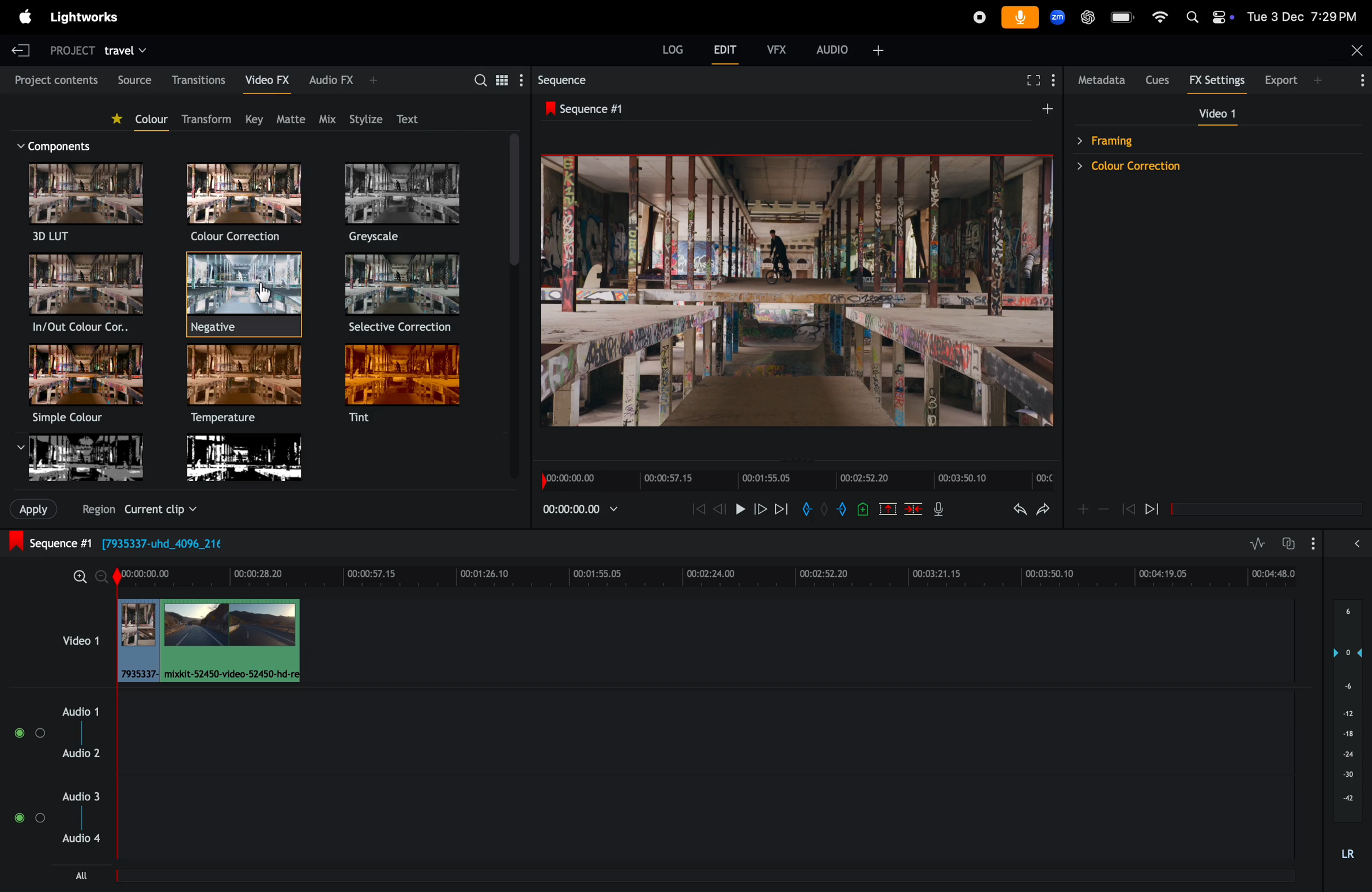  I want to click on audio 3, so click(84, 796).